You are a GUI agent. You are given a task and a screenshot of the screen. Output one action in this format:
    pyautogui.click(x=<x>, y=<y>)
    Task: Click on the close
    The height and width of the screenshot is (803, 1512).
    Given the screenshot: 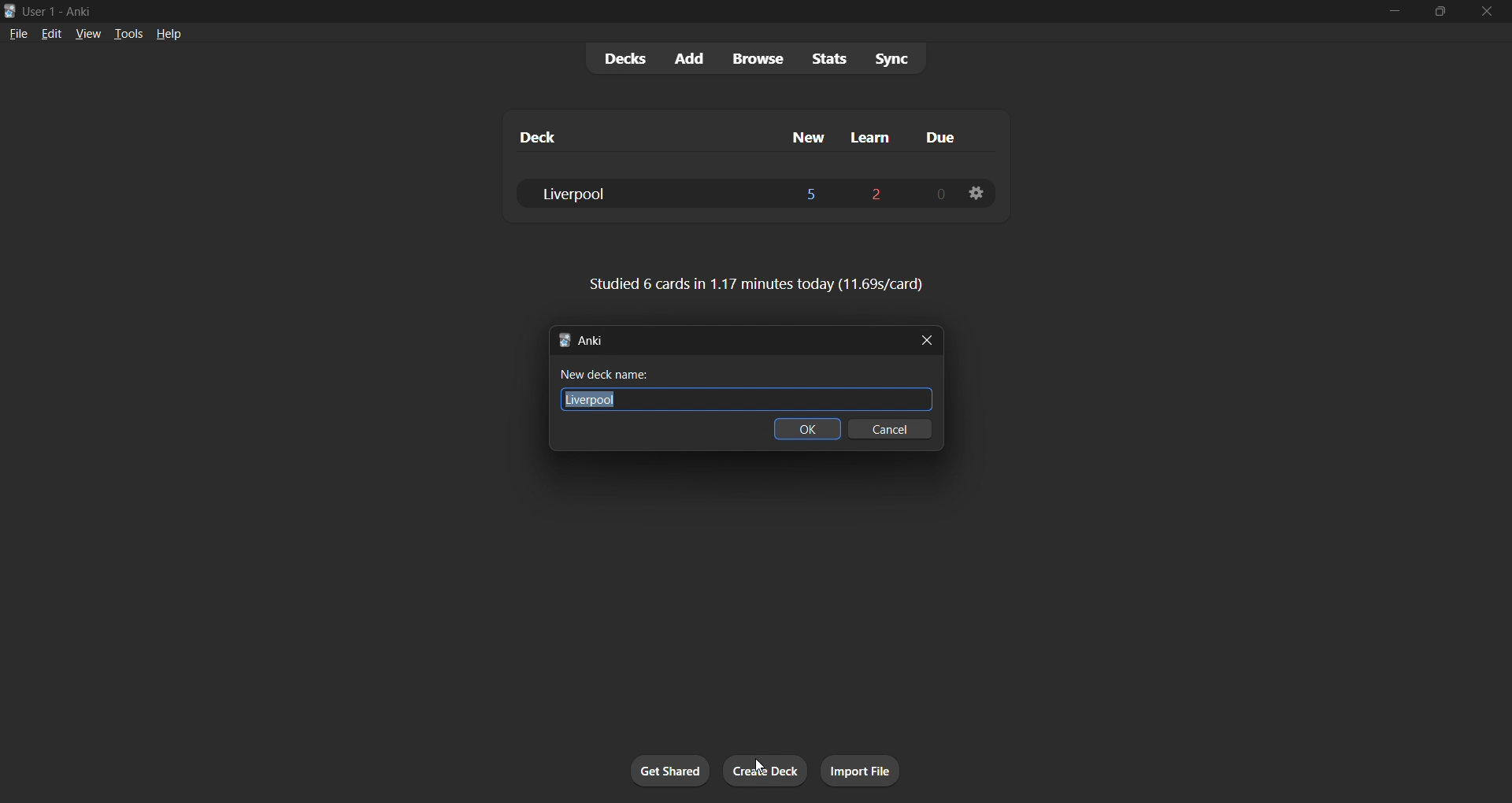 What is the action you would take?
    pyautogui.click(x=1484, y=13)
    